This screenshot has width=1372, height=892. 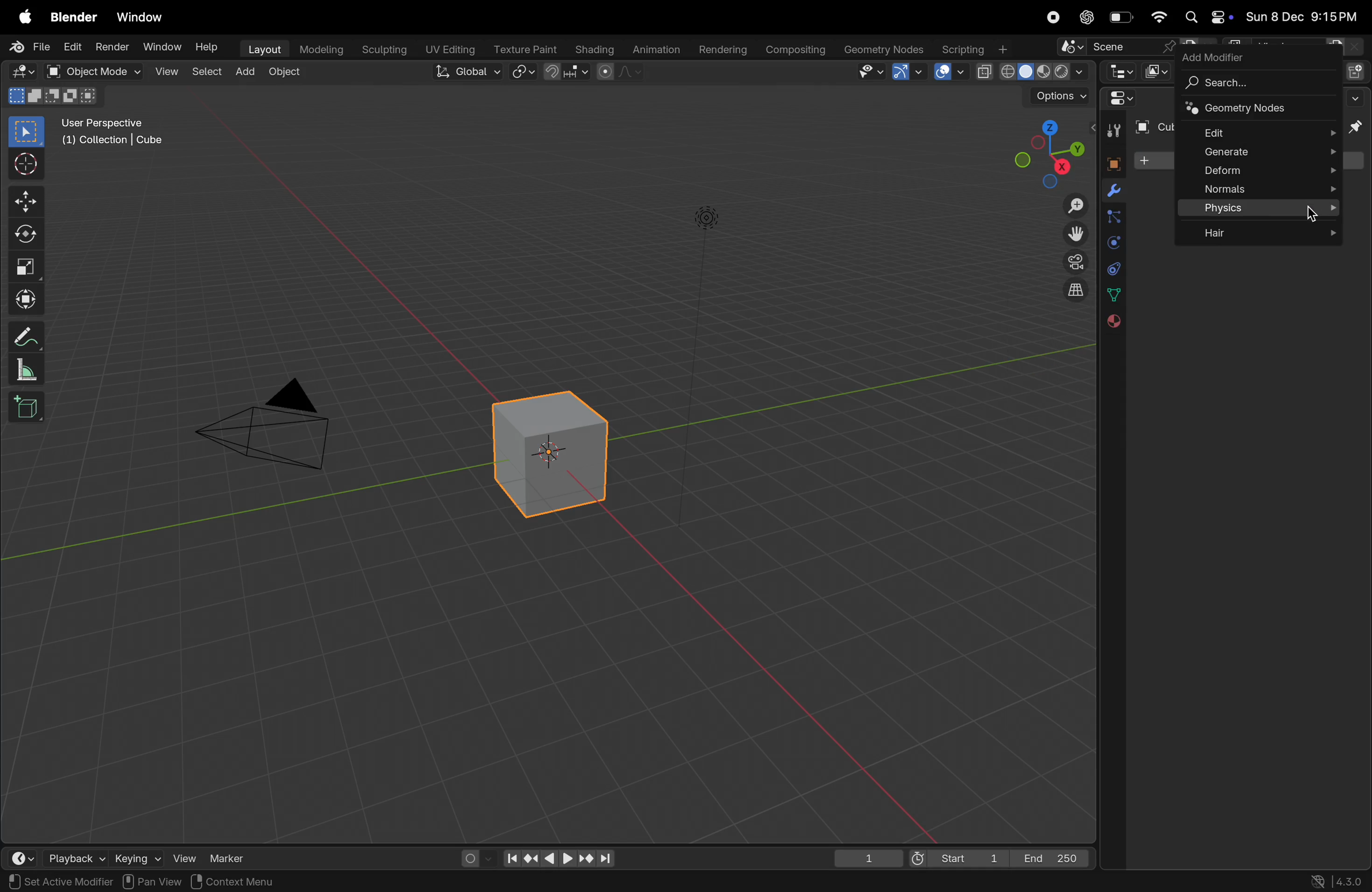 I want to click on window, so click(x=145, y=18).